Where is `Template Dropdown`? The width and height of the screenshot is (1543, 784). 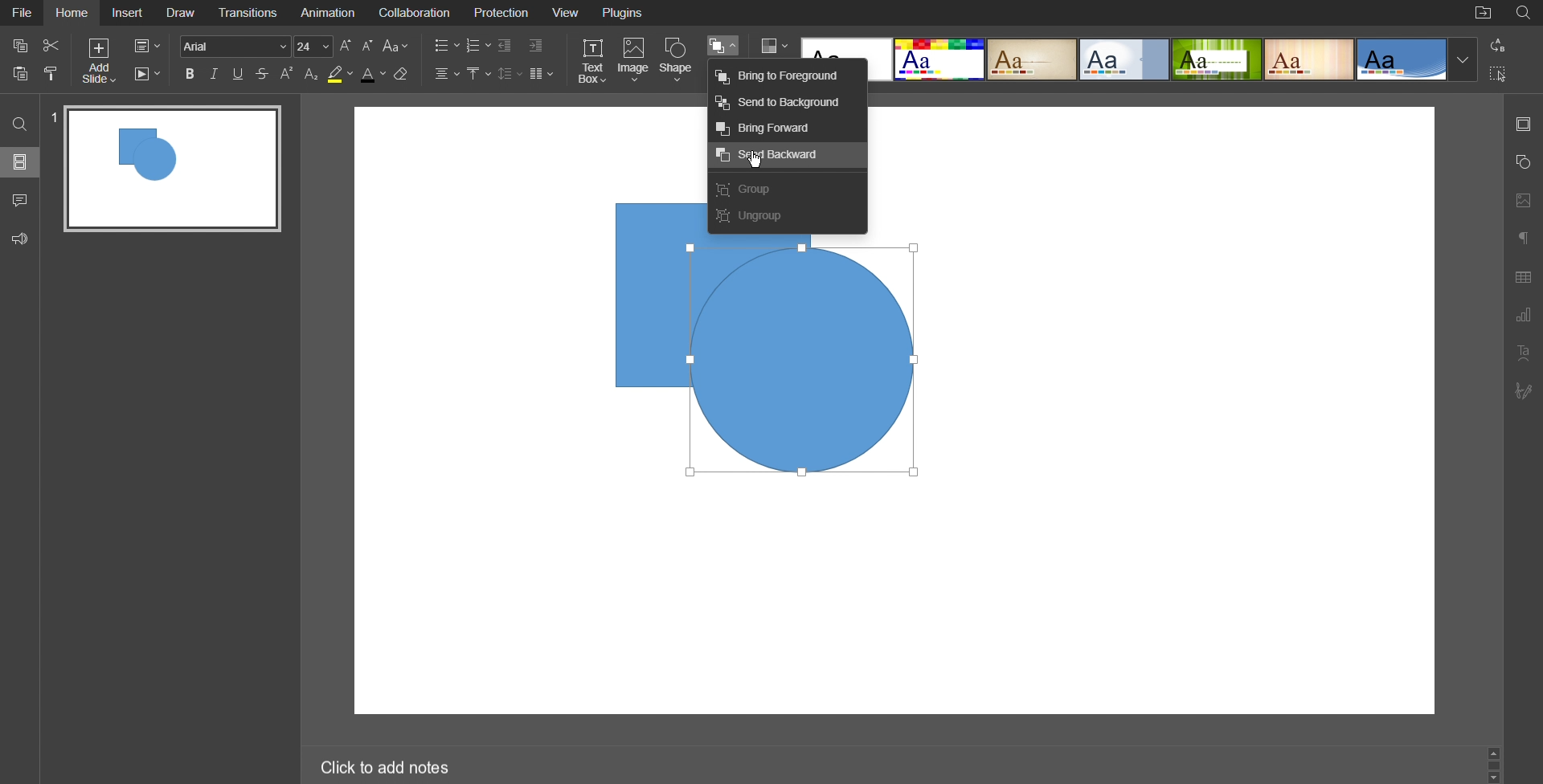
Template Dropdown is located at coordinates (1463, 59).